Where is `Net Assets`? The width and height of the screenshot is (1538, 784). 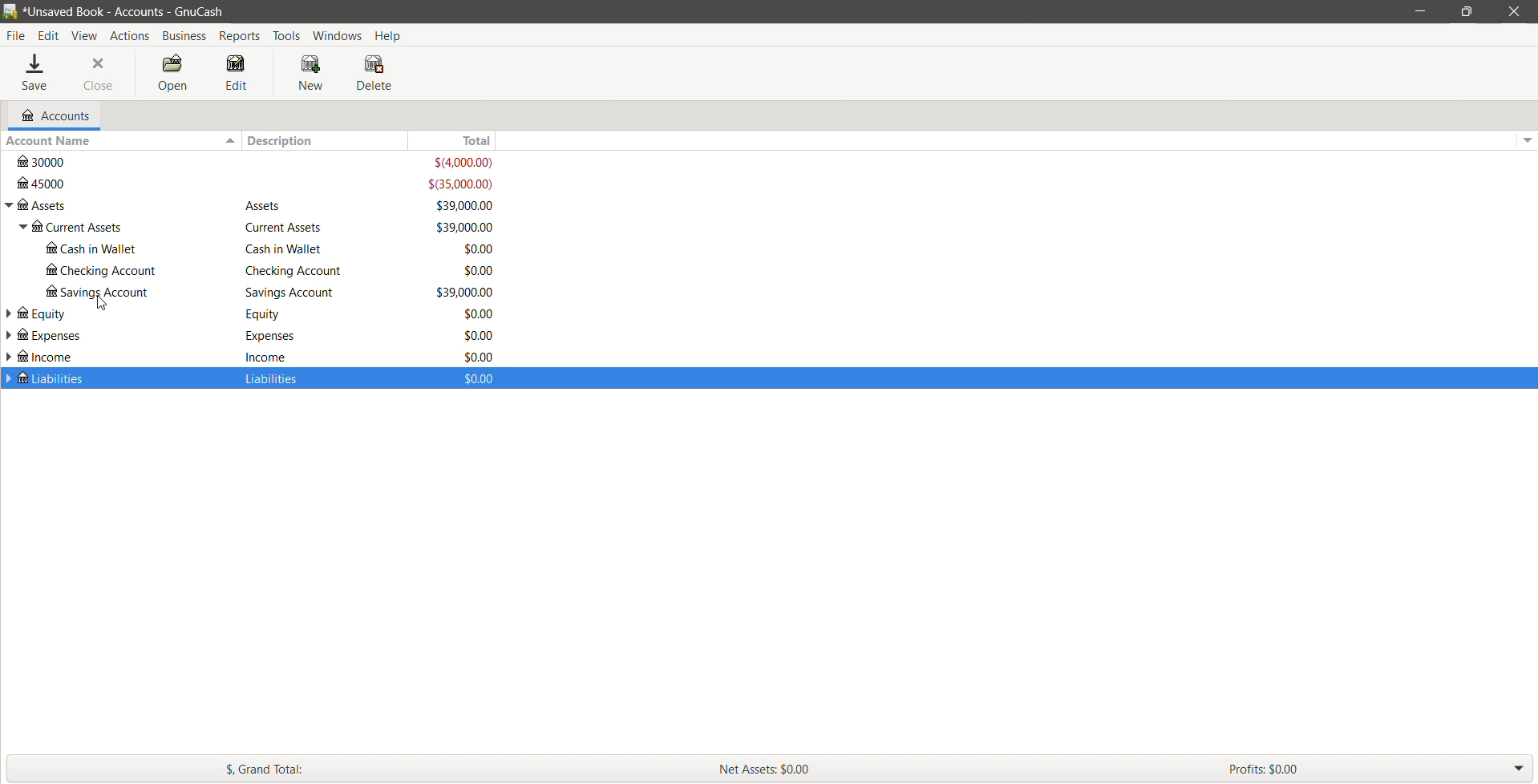
Net Assets is located at coordinates (941, 770).